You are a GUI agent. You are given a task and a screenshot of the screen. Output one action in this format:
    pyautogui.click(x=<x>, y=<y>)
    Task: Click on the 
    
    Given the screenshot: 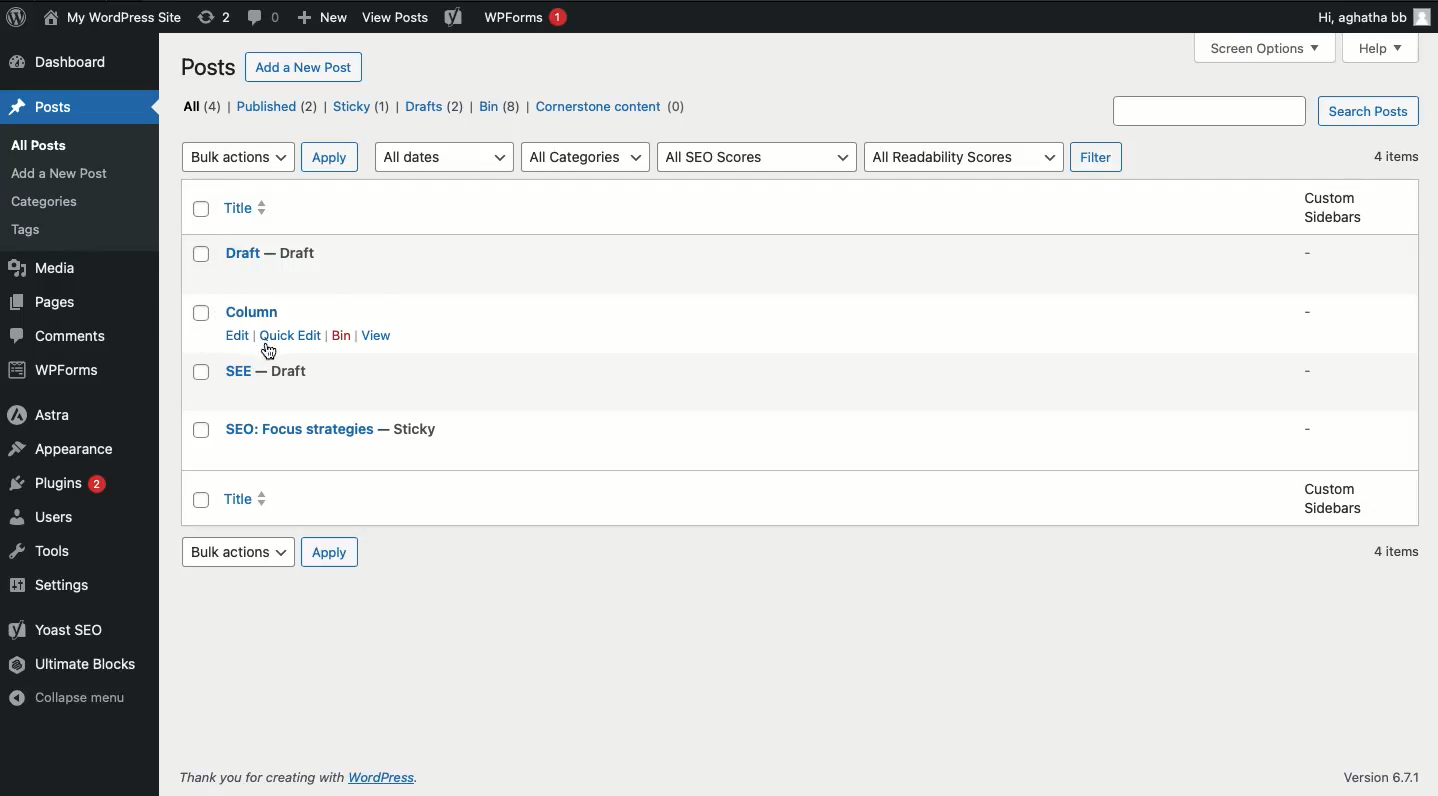 What is the action you would take?
    pyautogui.click(x=1385, y=777)
    